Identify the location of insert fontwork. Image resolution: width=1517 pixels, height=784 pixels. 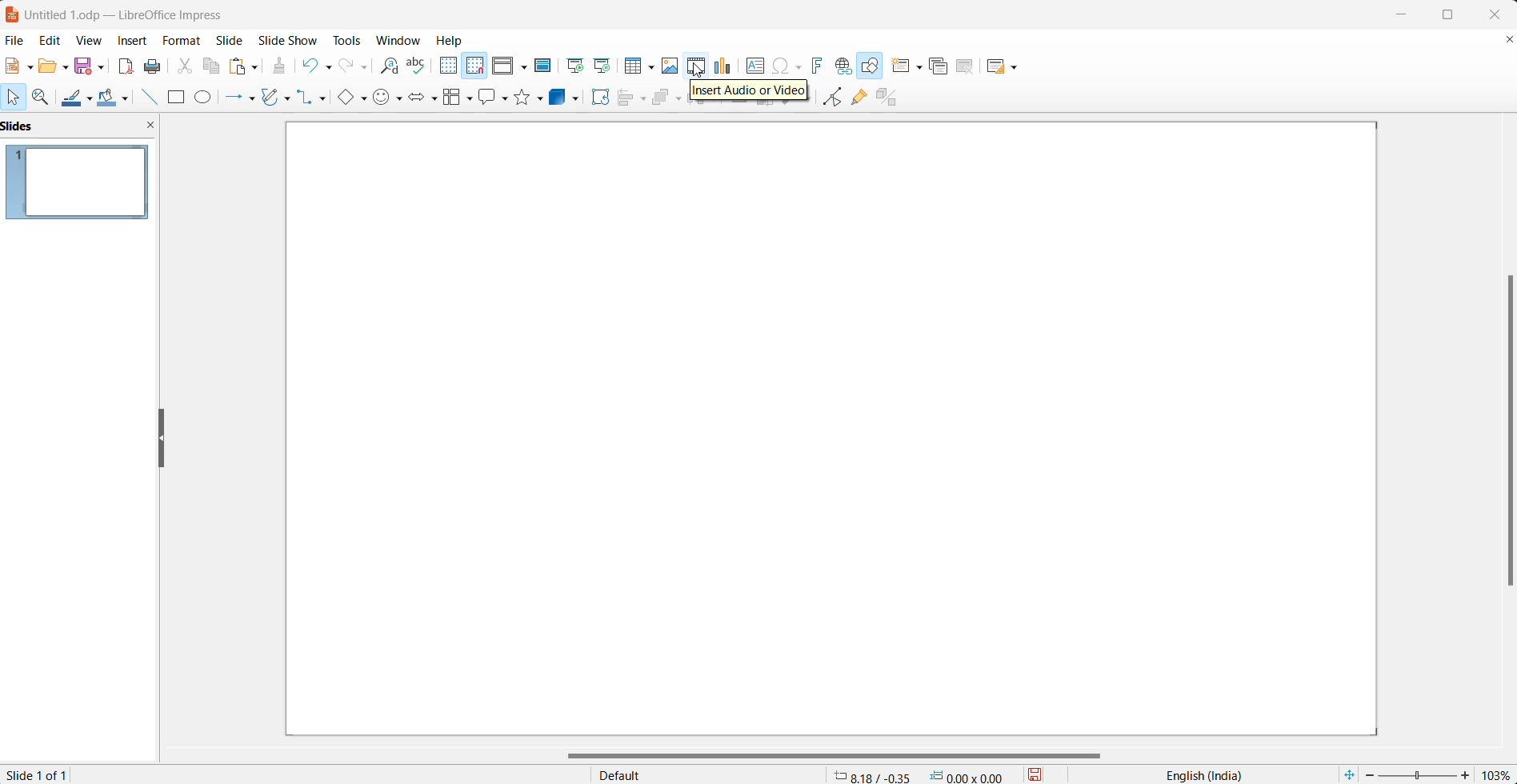
(821, 64).